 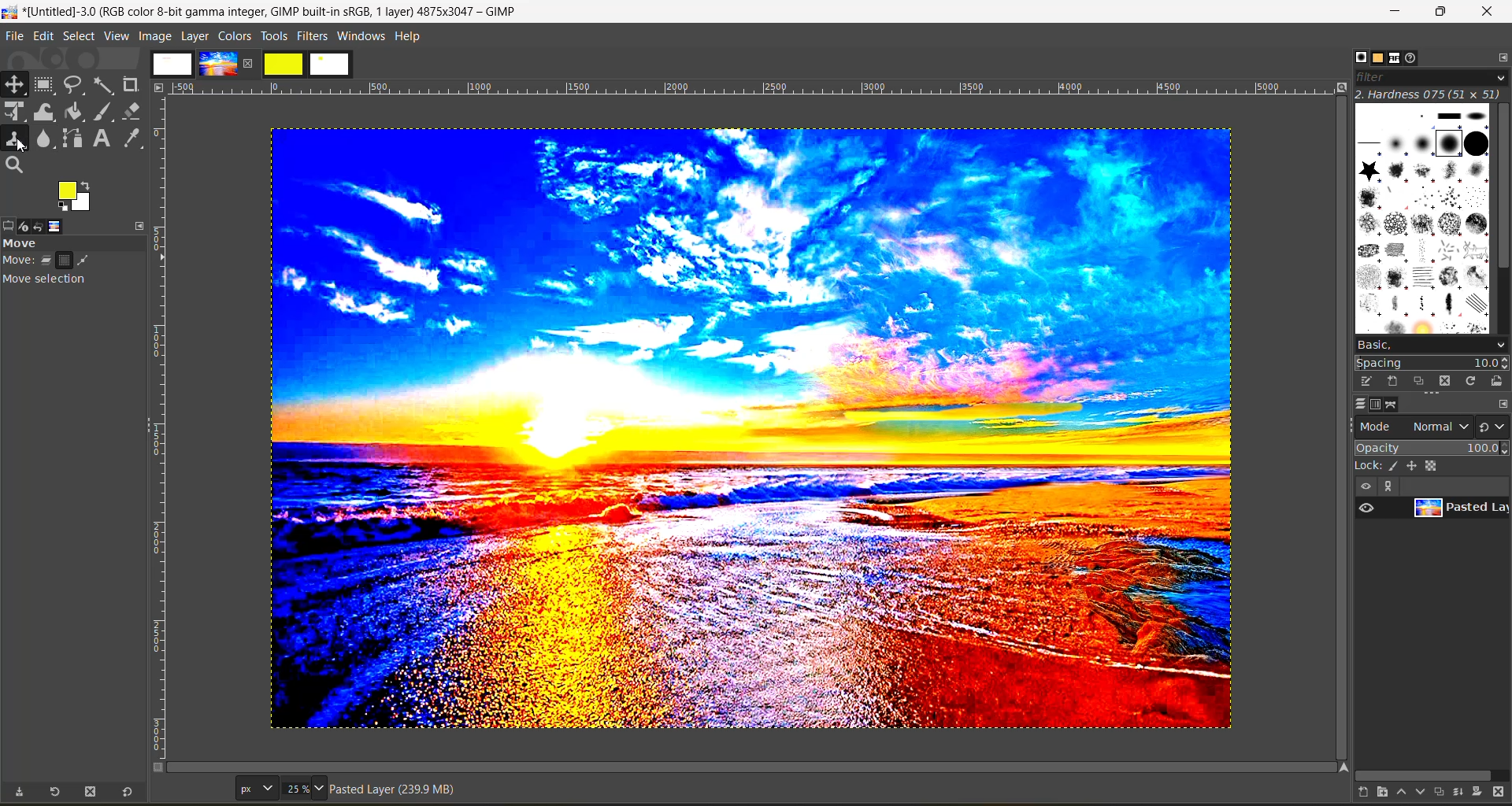 I want to click on reset to default values, so click(x=126, y=793).